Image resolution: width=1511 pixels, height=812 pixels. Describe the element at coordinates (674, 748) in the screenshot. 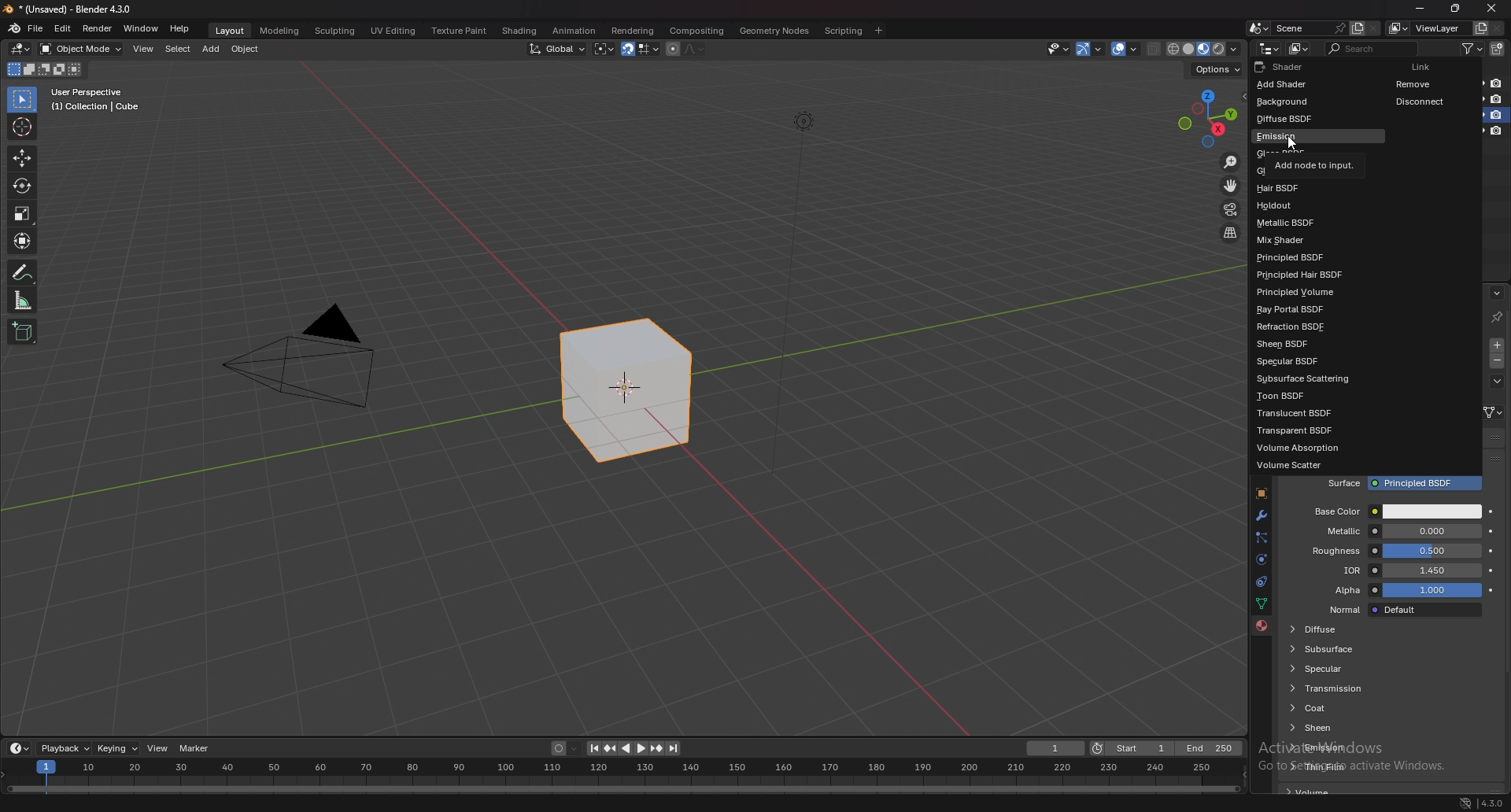

I see `jump to endpoint` at that location.